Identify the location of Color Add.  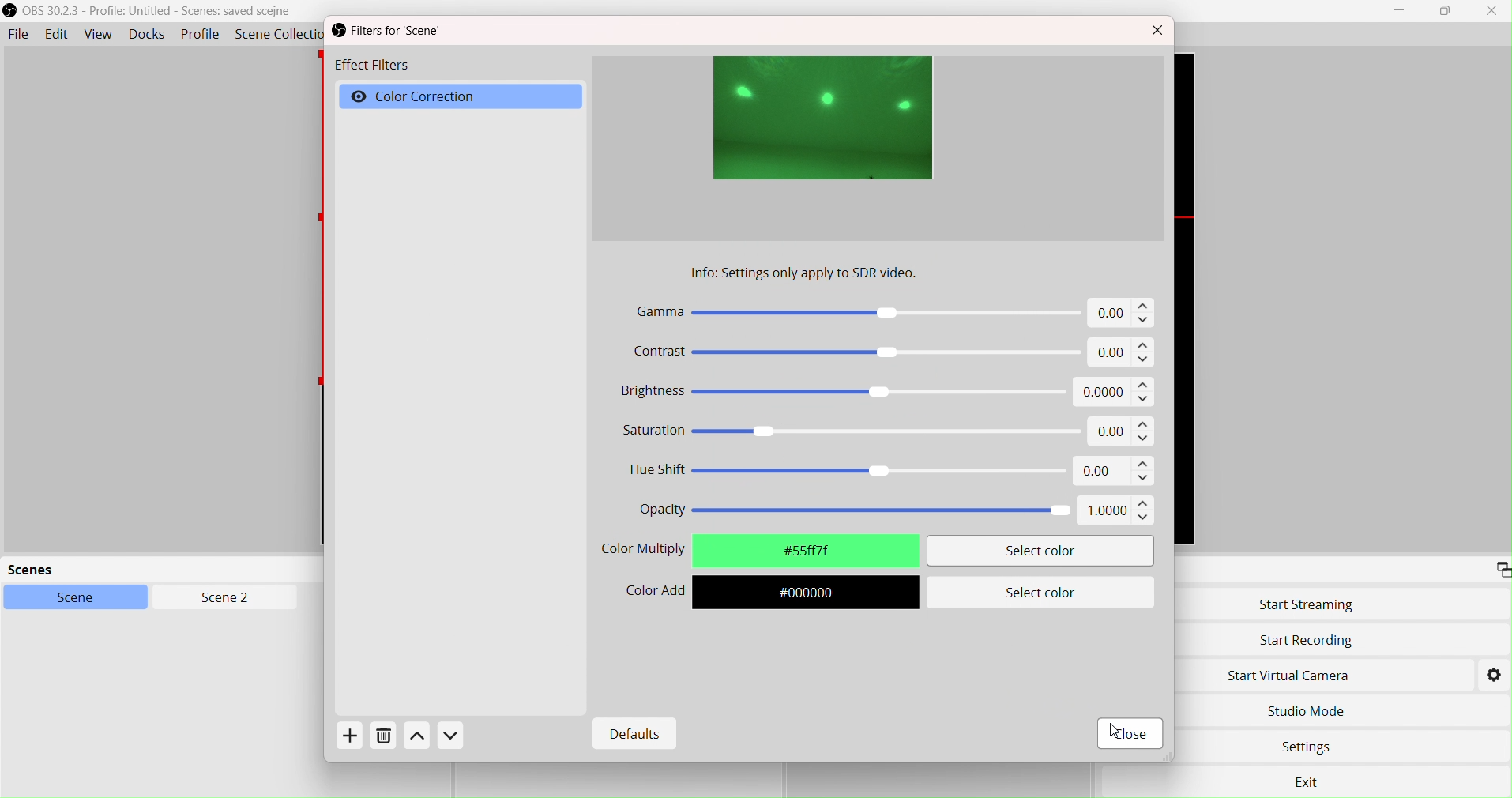
(646, 593).